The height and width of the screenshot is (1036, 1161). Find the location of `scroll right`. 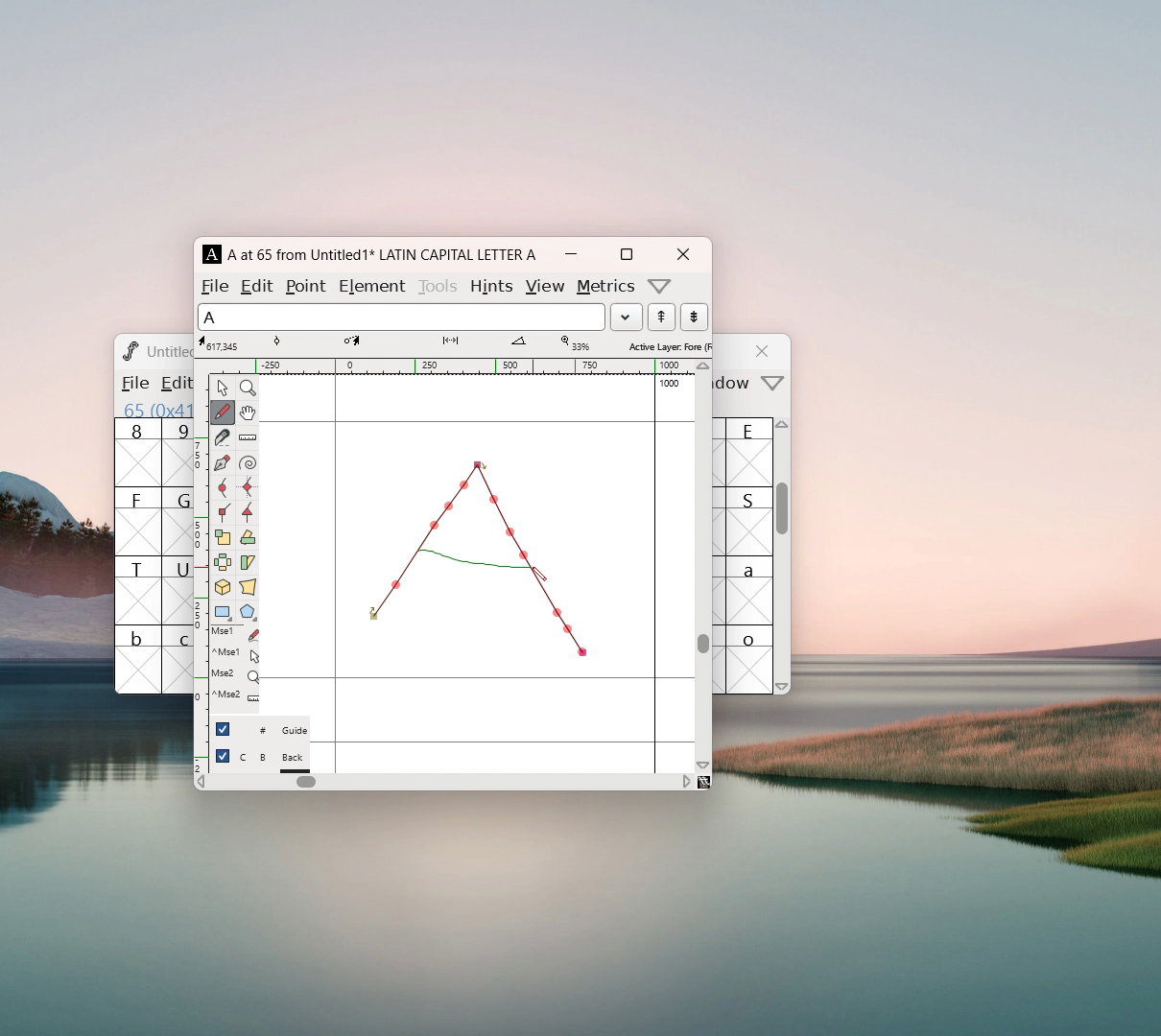

scroll right is located at coordinates (686, 781).